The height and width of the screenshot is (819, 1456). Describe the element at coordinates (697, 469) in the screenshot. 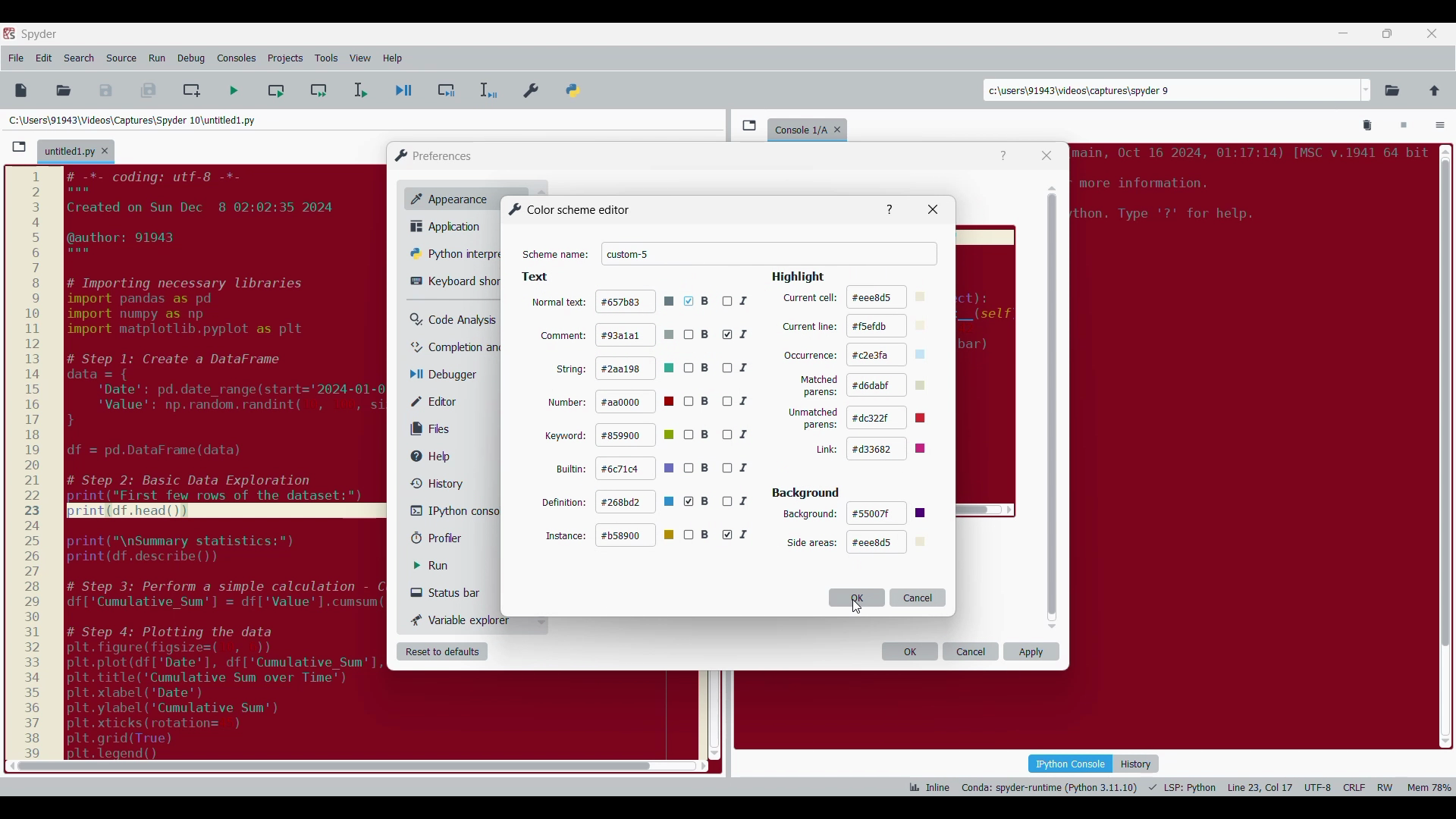

I see `B` at that location.